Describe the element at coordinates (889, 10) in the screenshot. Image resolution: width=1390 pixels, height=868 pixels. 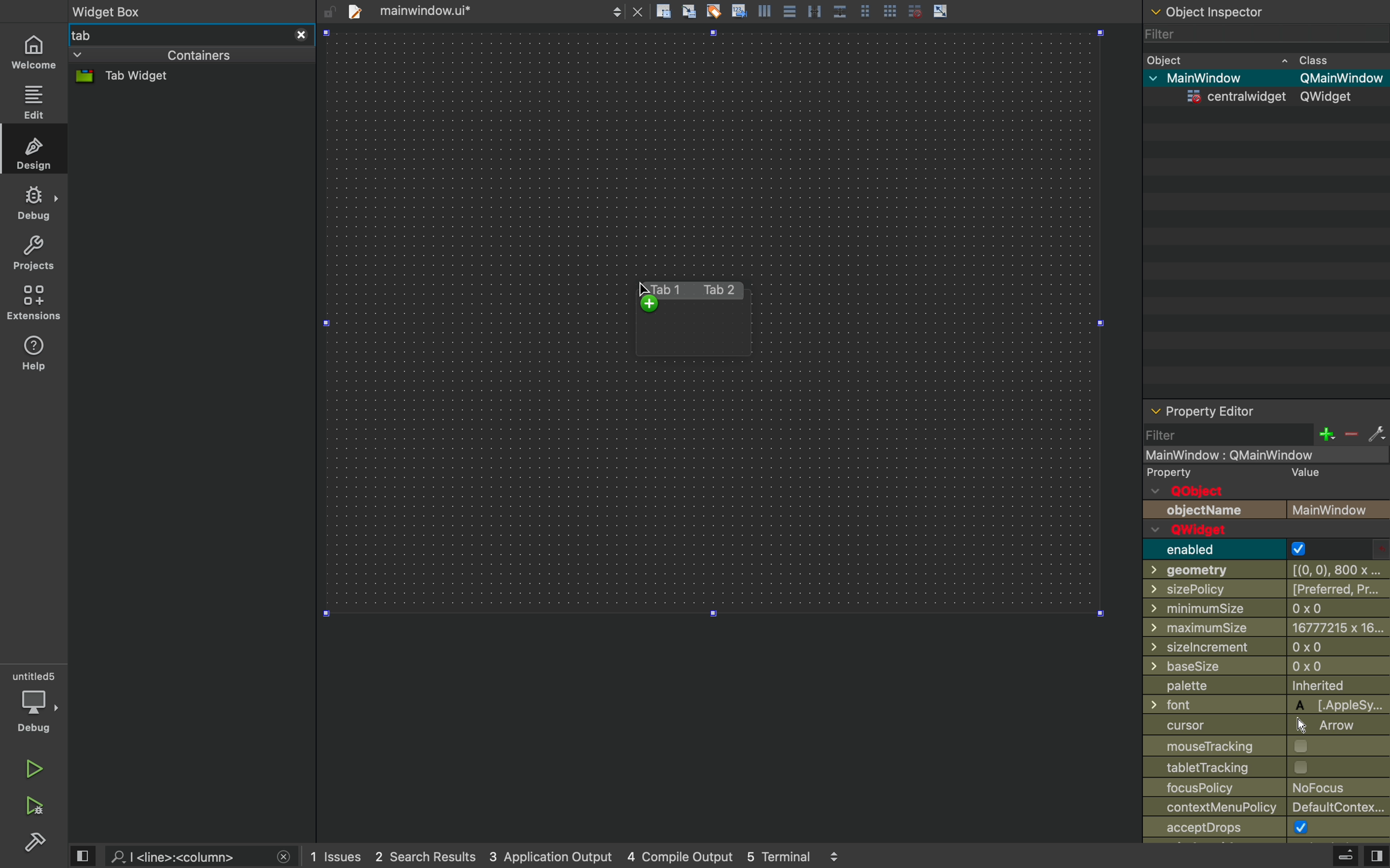
I see `grid view large` at that location.